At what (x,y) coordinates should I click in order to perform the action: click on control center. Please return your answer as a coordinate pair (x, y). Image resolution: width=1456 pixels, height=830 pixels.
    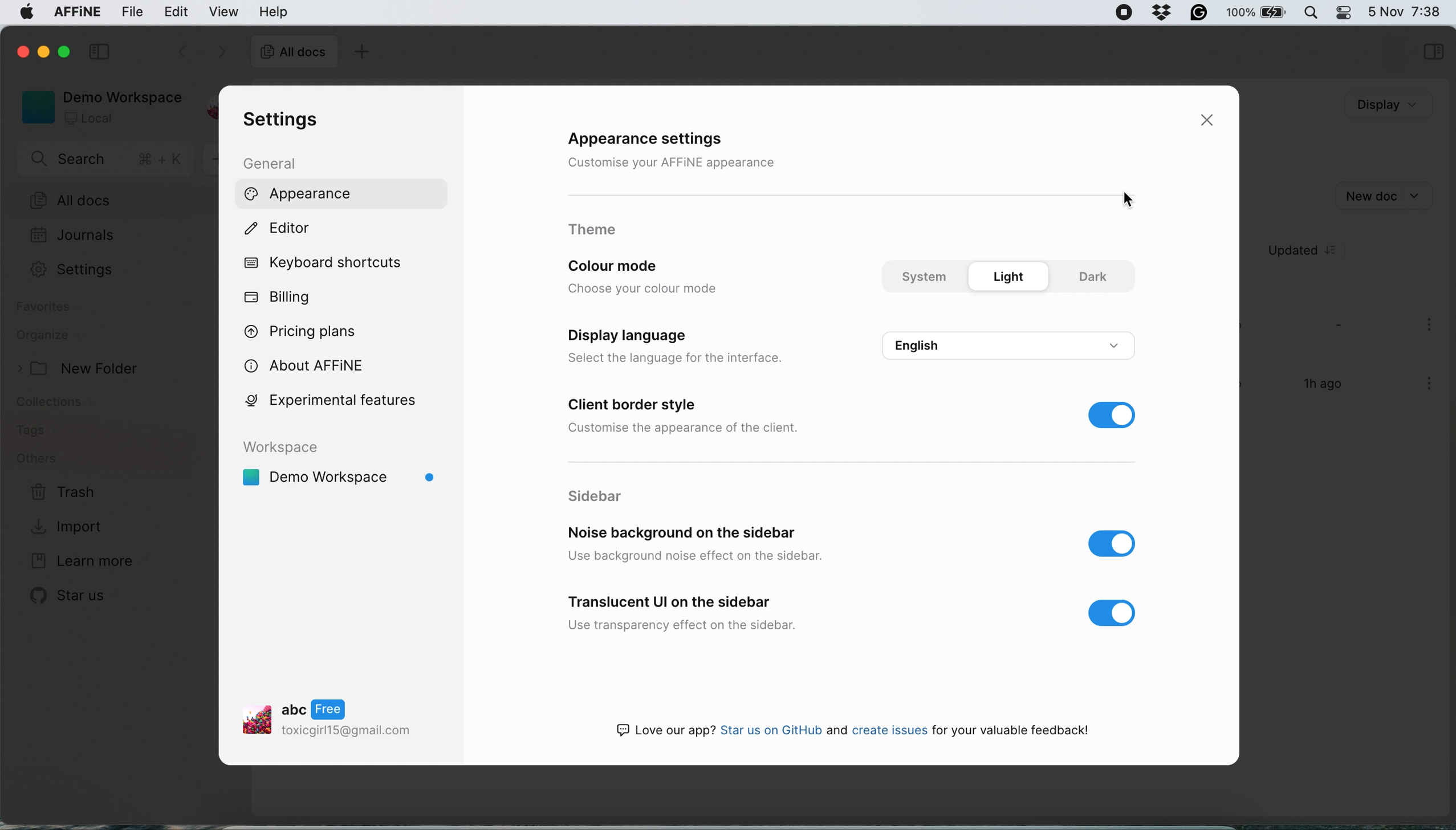
    Looking at the image, I should click on (1343, 13).